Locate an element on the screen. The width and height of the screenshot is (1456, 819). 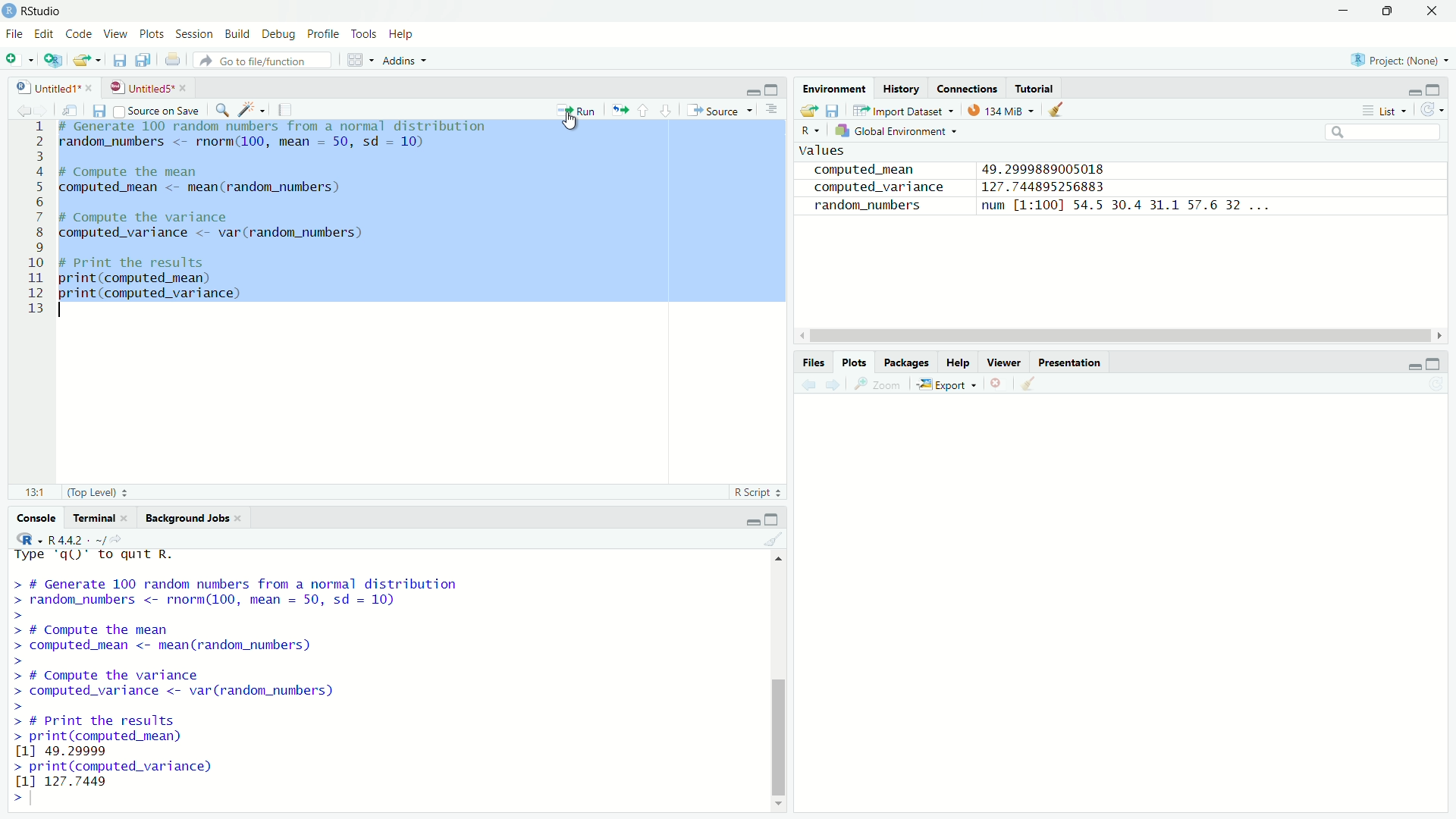
addins is located at coordinates (405, 60).